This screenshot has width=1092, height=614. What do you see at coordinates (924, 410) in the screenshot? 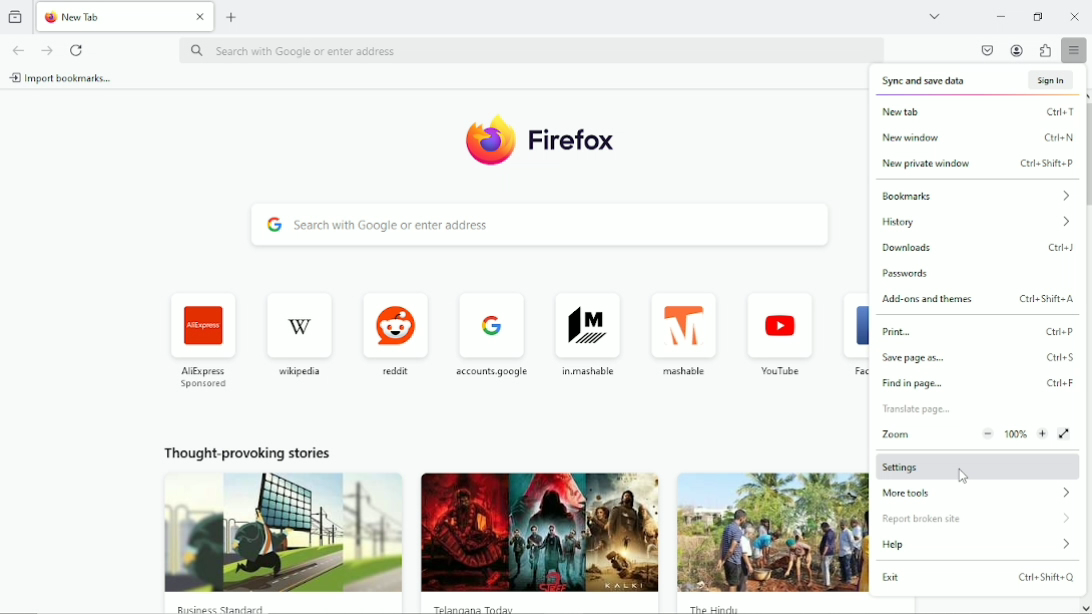
I see `Translate page` at bounding box center [924, 410].